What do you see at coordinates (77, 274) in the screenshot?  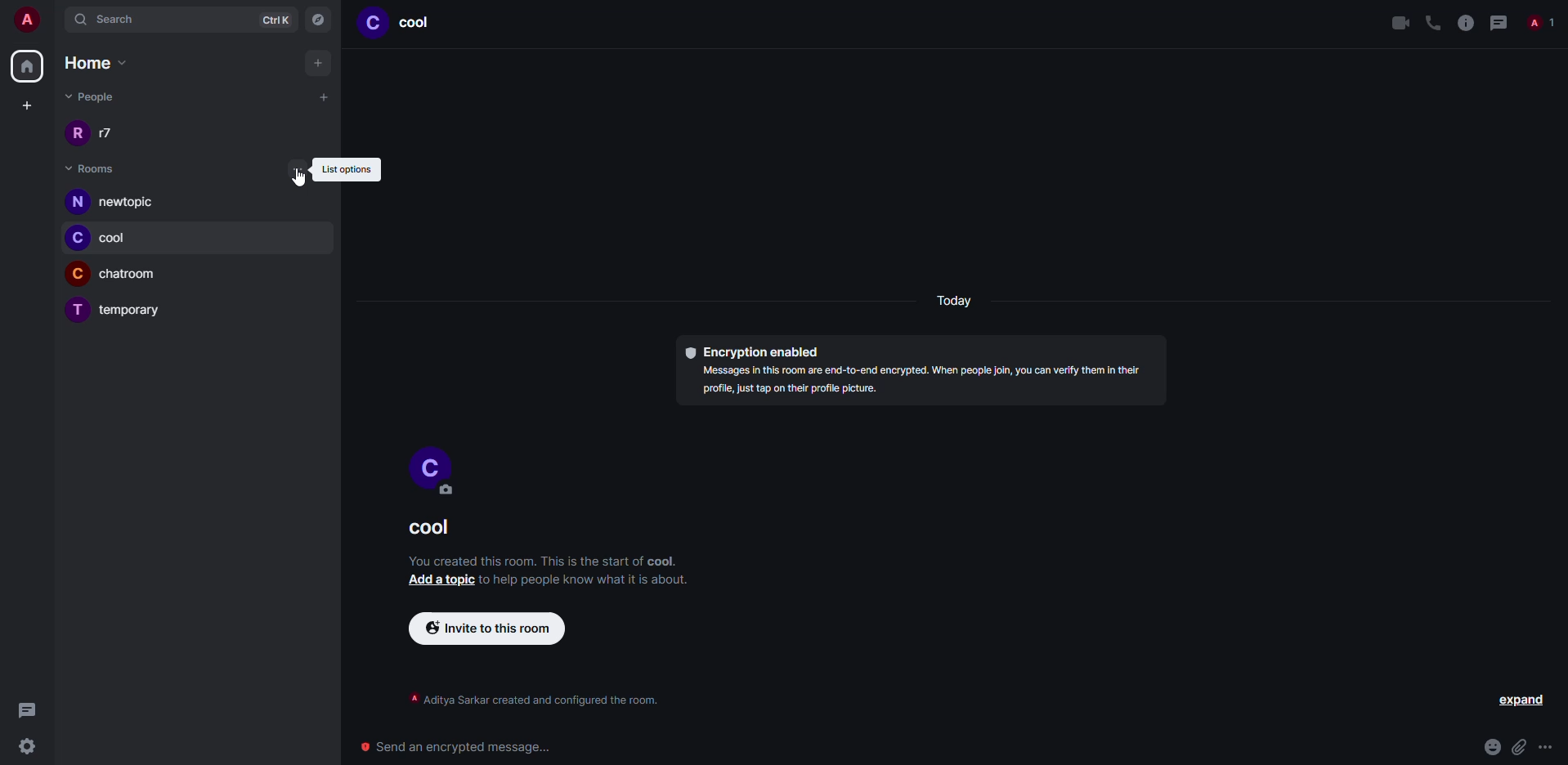 I see `profile` at bounding box center [77, 274].